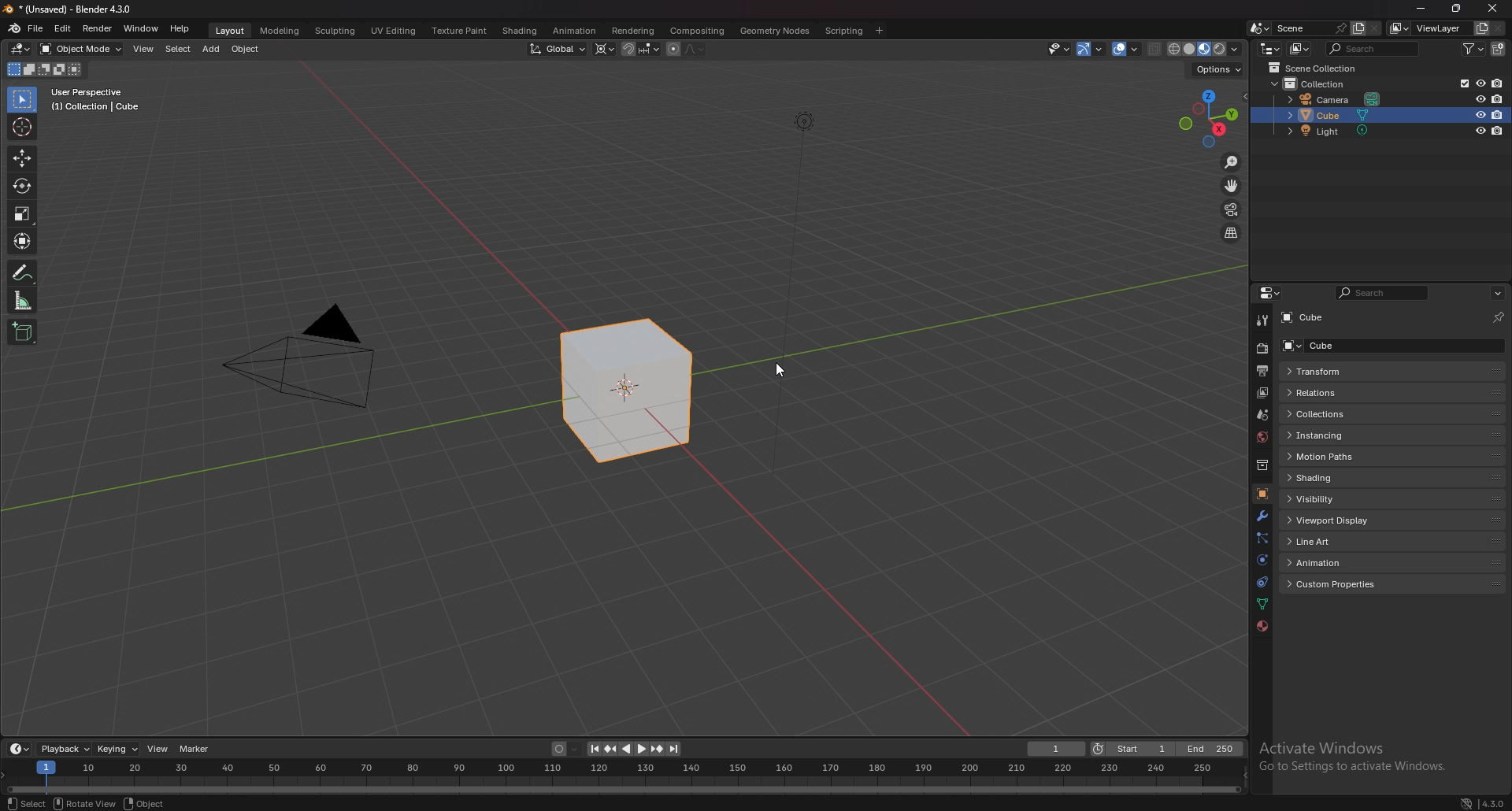 The image size is (1512, 811). Describe the element at coordinates (1259, 537) in the screenshot. I see `particles` at that location.